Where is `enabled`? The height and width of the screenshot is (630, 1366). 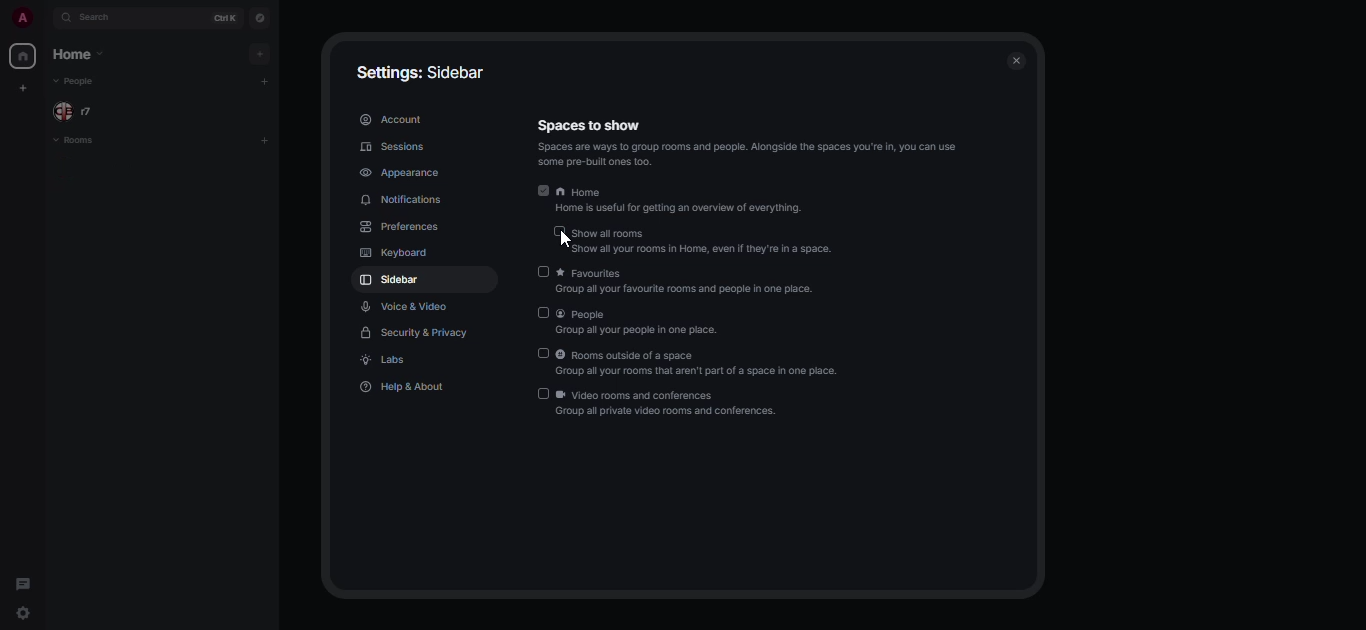
enabled is located at coordinates (543, 190).